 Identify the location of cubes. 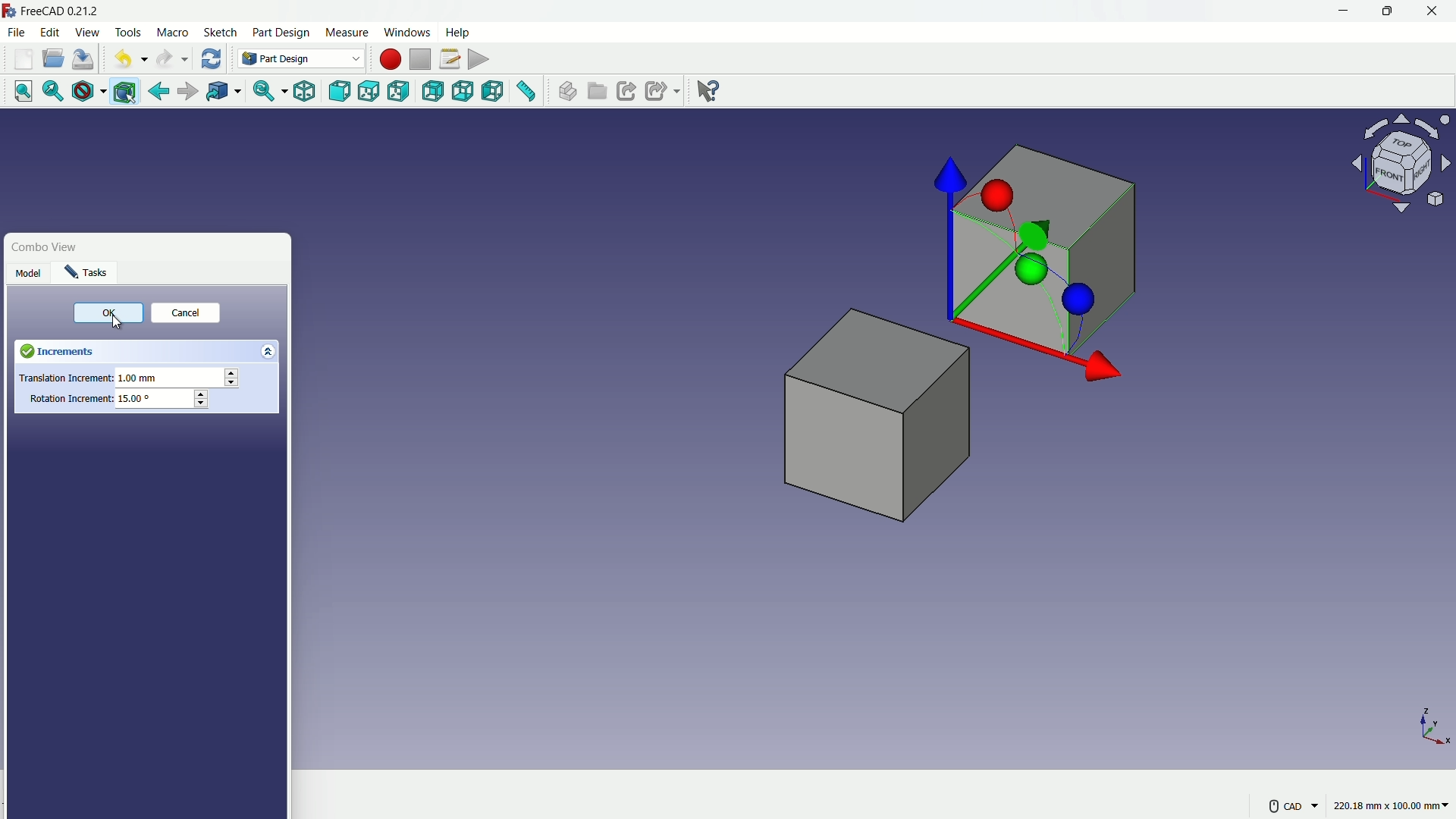
(921, 336).